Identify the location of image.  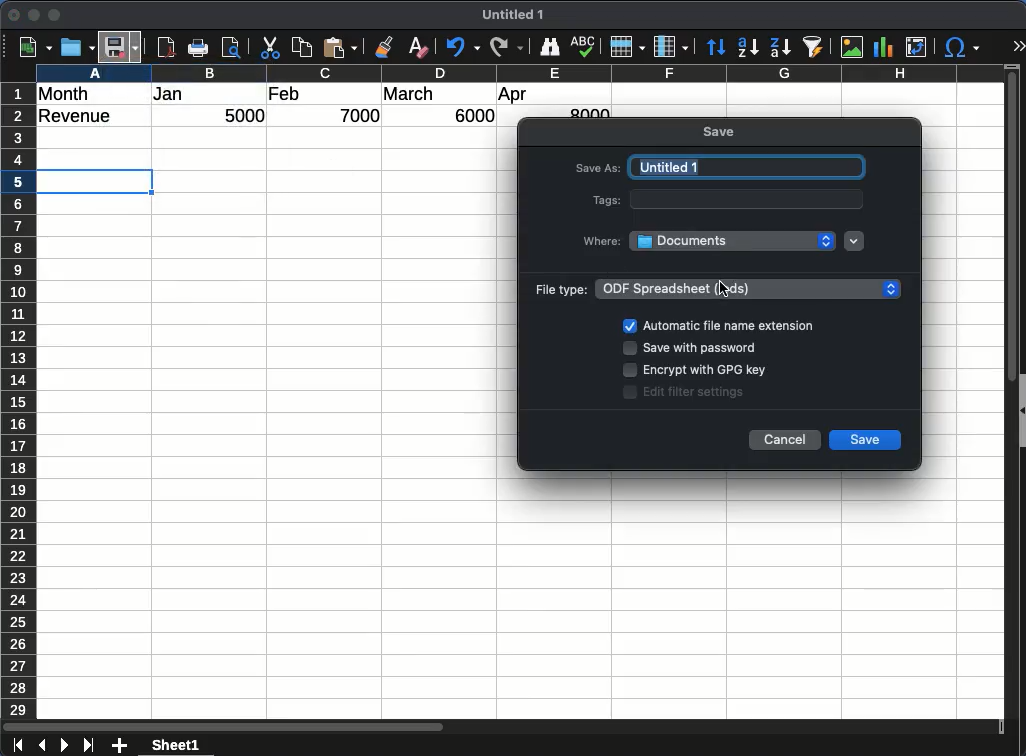
(851, 47).